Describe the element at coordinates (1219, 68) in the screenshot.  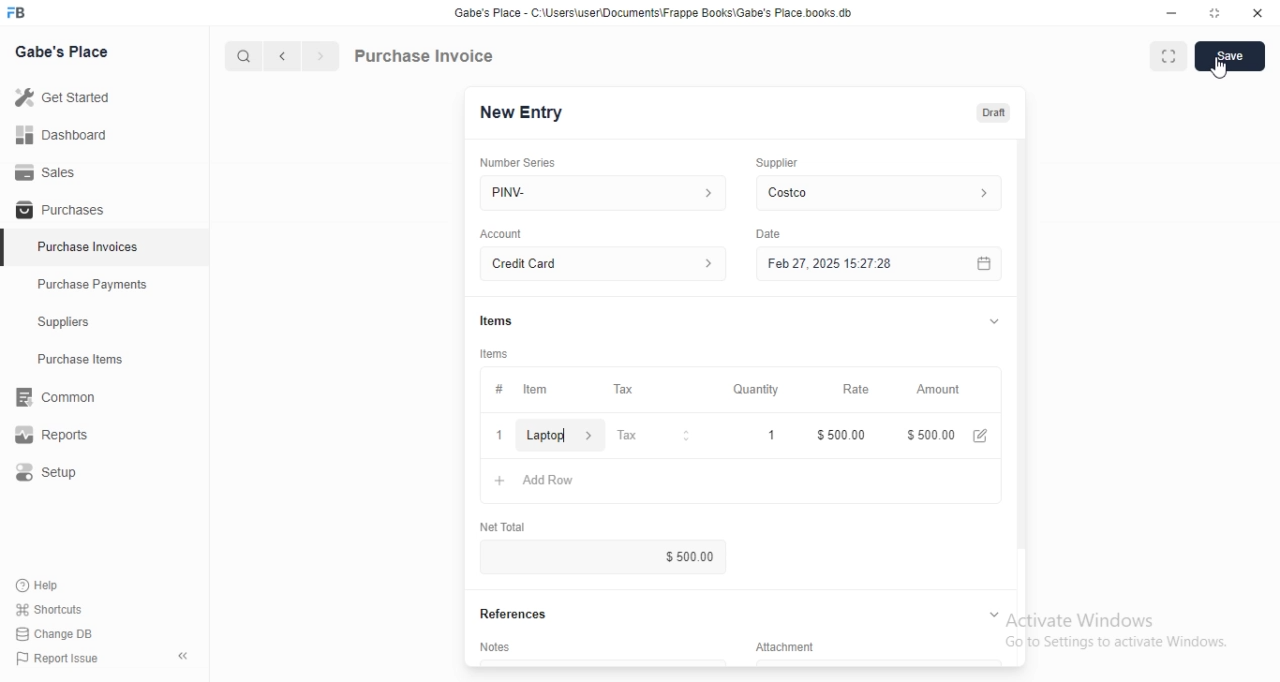
I see `Cursor` at that location.